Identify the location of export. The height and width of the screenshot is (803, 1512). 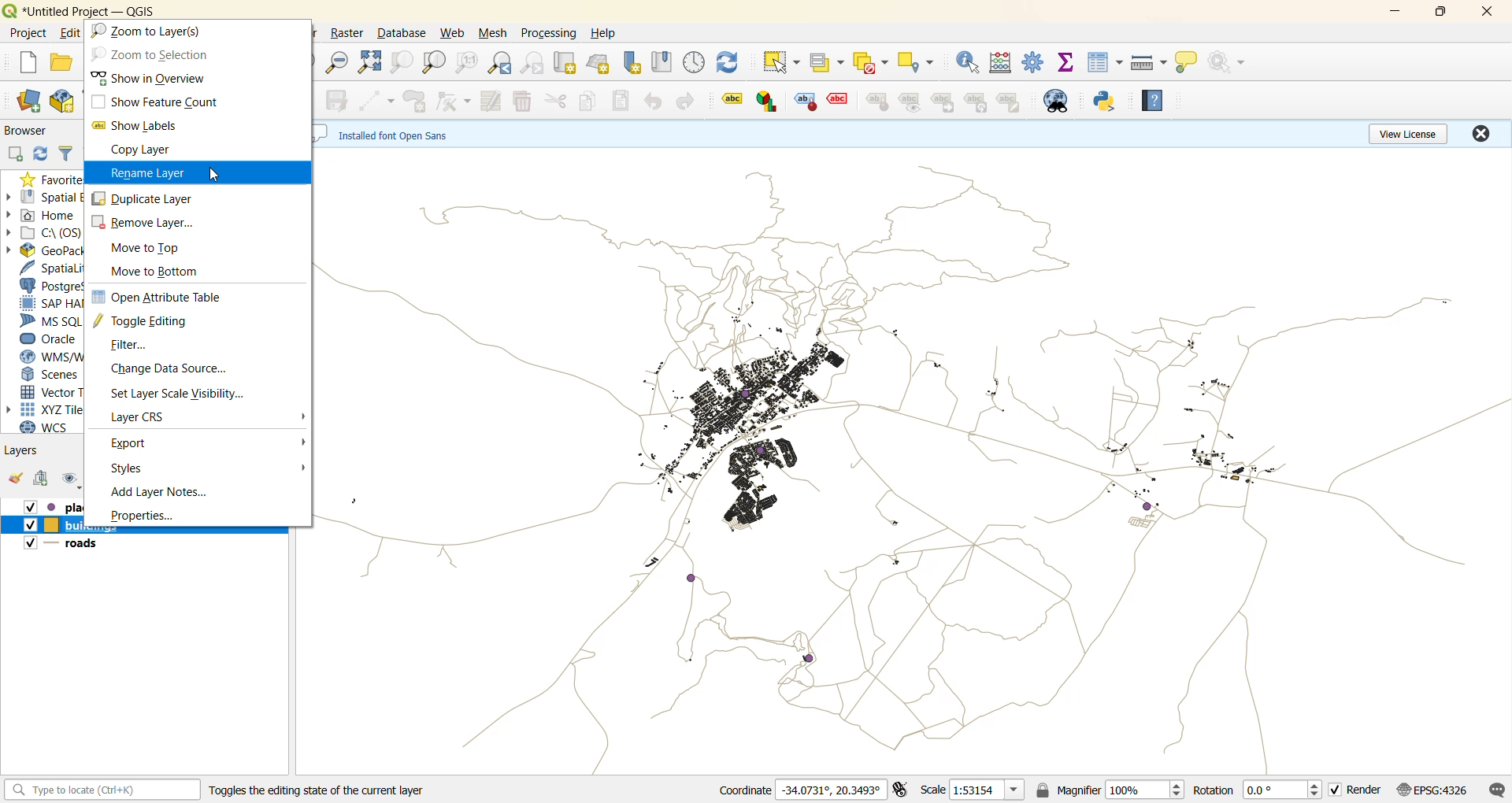
(134, 444).